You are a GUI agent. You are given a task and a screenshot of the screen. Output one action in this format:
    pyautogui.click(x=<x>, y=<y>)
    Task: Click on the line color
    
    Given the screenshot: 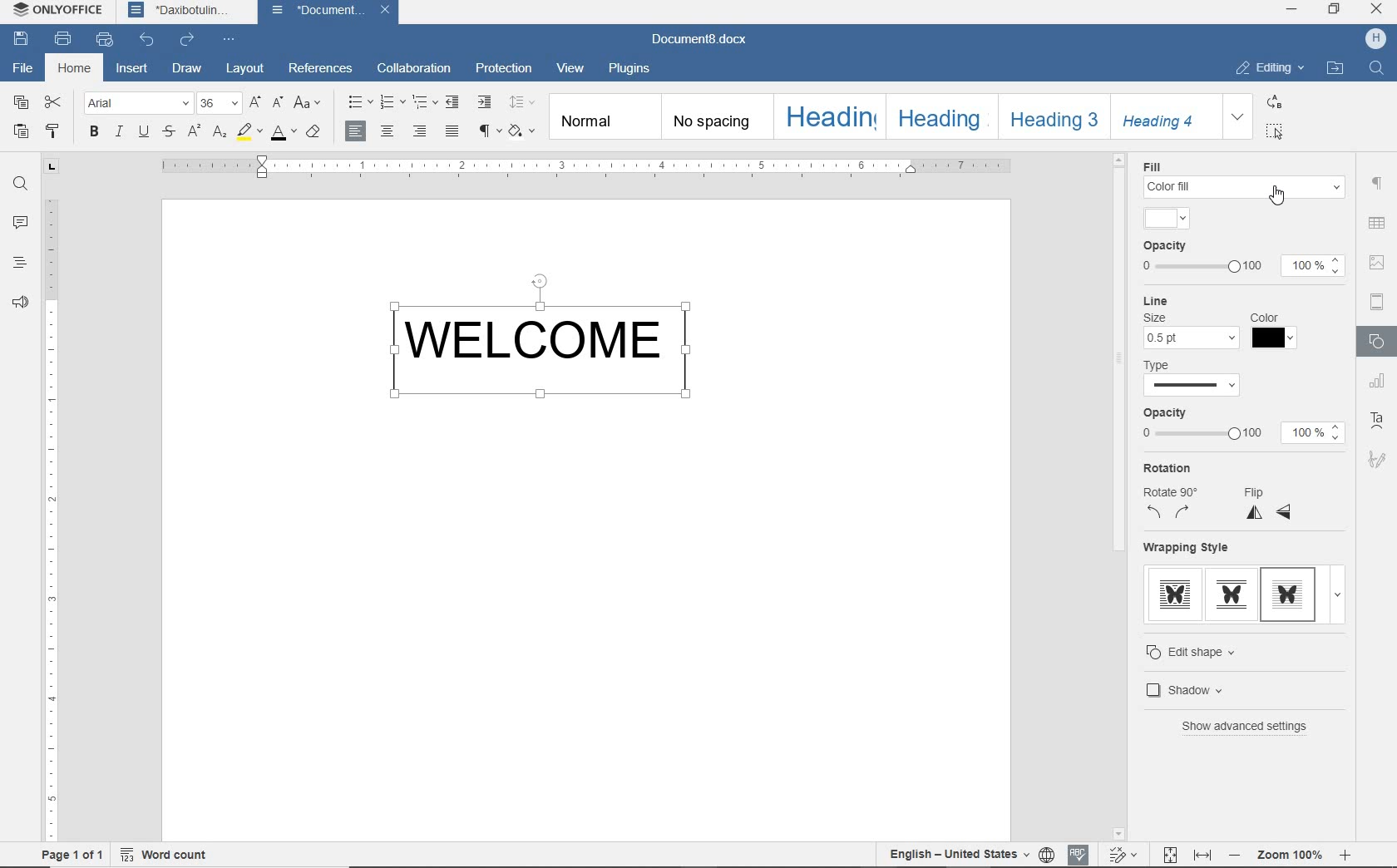 What is the action you would take?
    pyautogui.click(x=1274, y=338)
    